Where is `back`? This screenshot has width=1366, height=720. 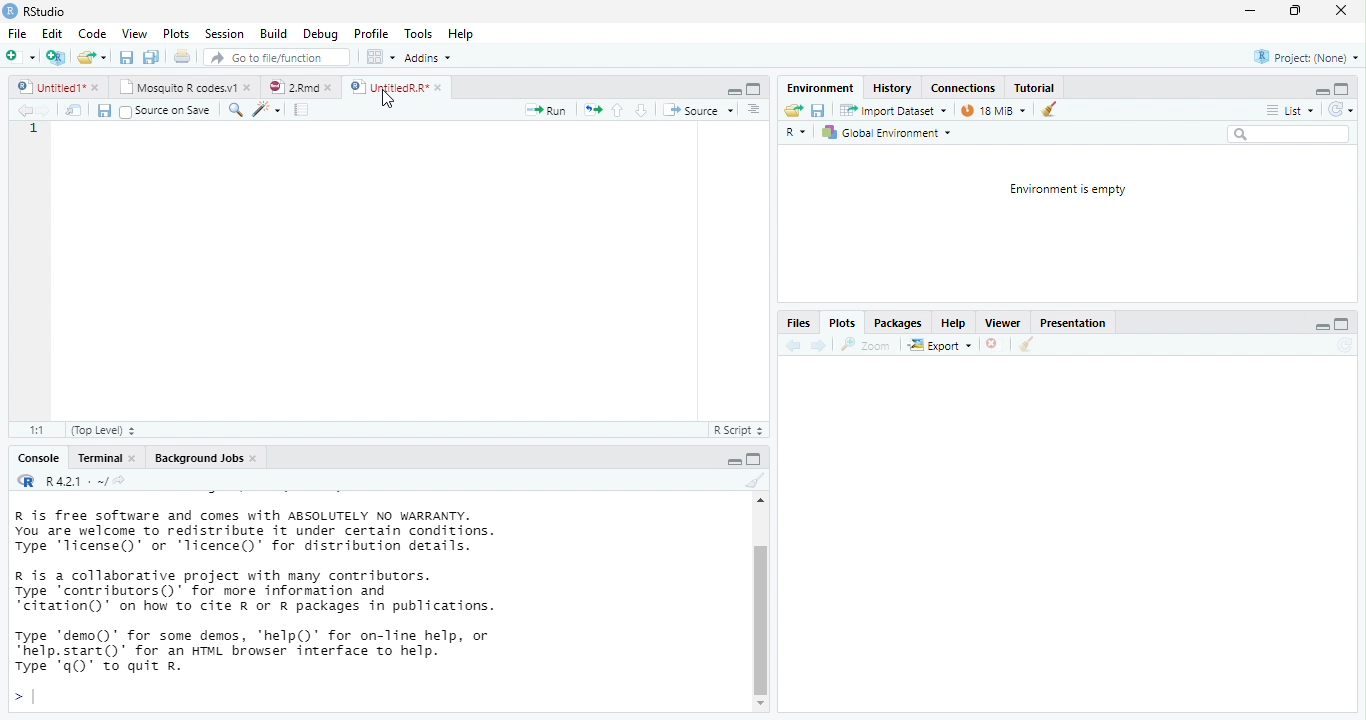
back is located at coordinates (791, 345).